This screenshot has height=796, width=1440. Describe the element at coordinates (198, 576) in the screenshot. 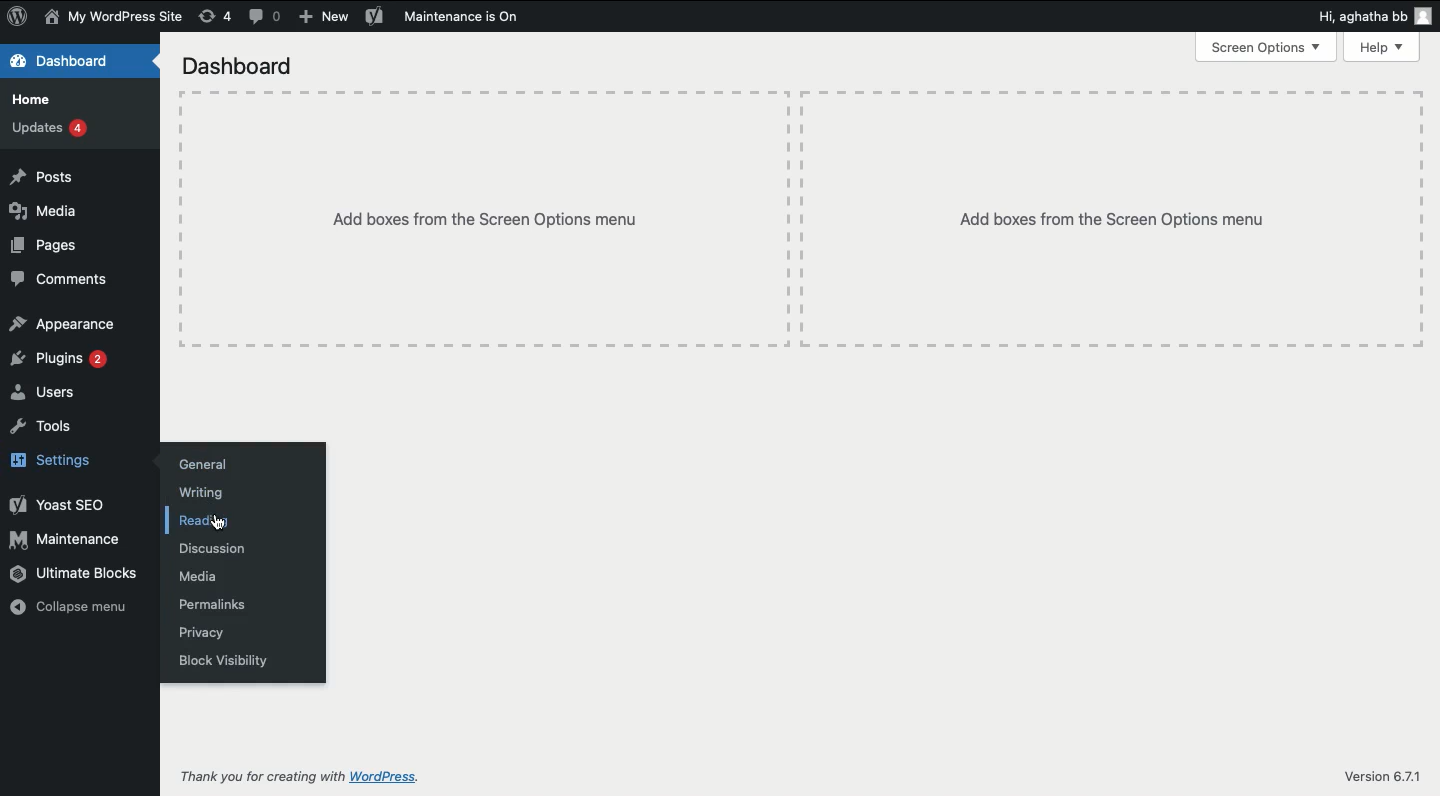

I see `media` at that location.